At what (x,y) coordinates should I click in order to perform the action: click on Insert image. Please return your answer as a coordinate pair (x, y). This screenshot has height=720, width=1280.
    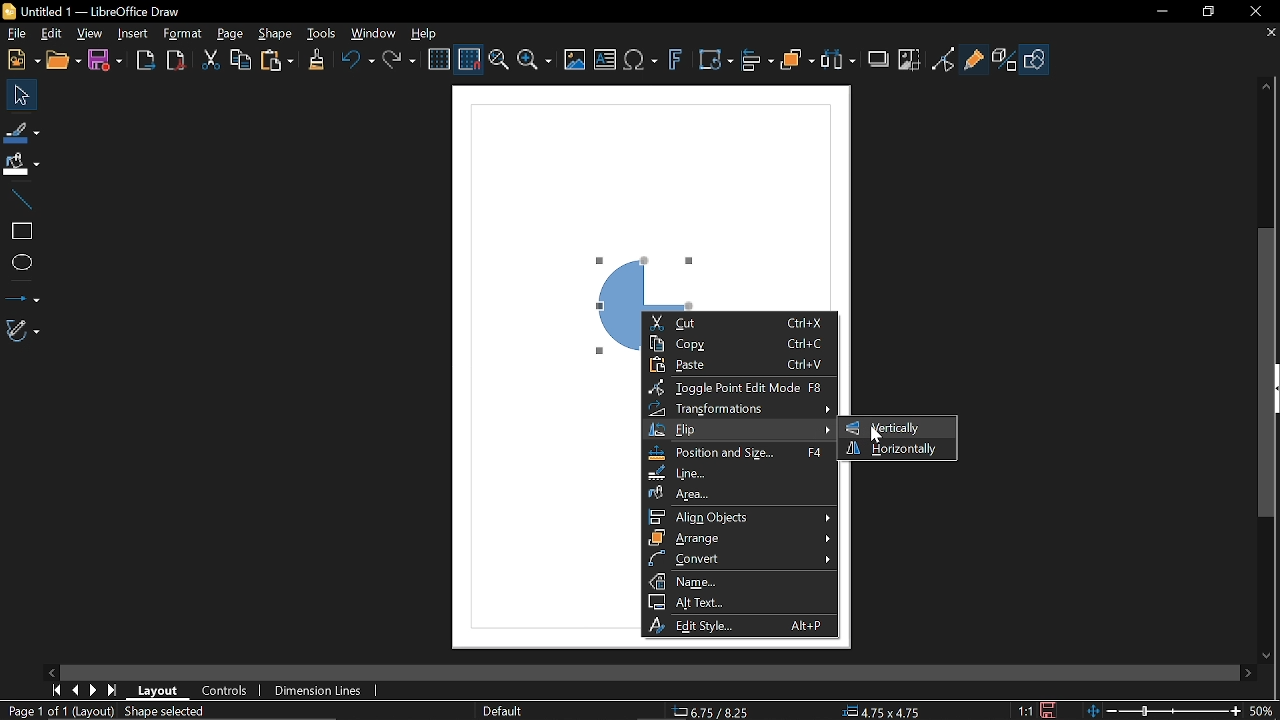
    Looking at the image, I should click on (576, 59).